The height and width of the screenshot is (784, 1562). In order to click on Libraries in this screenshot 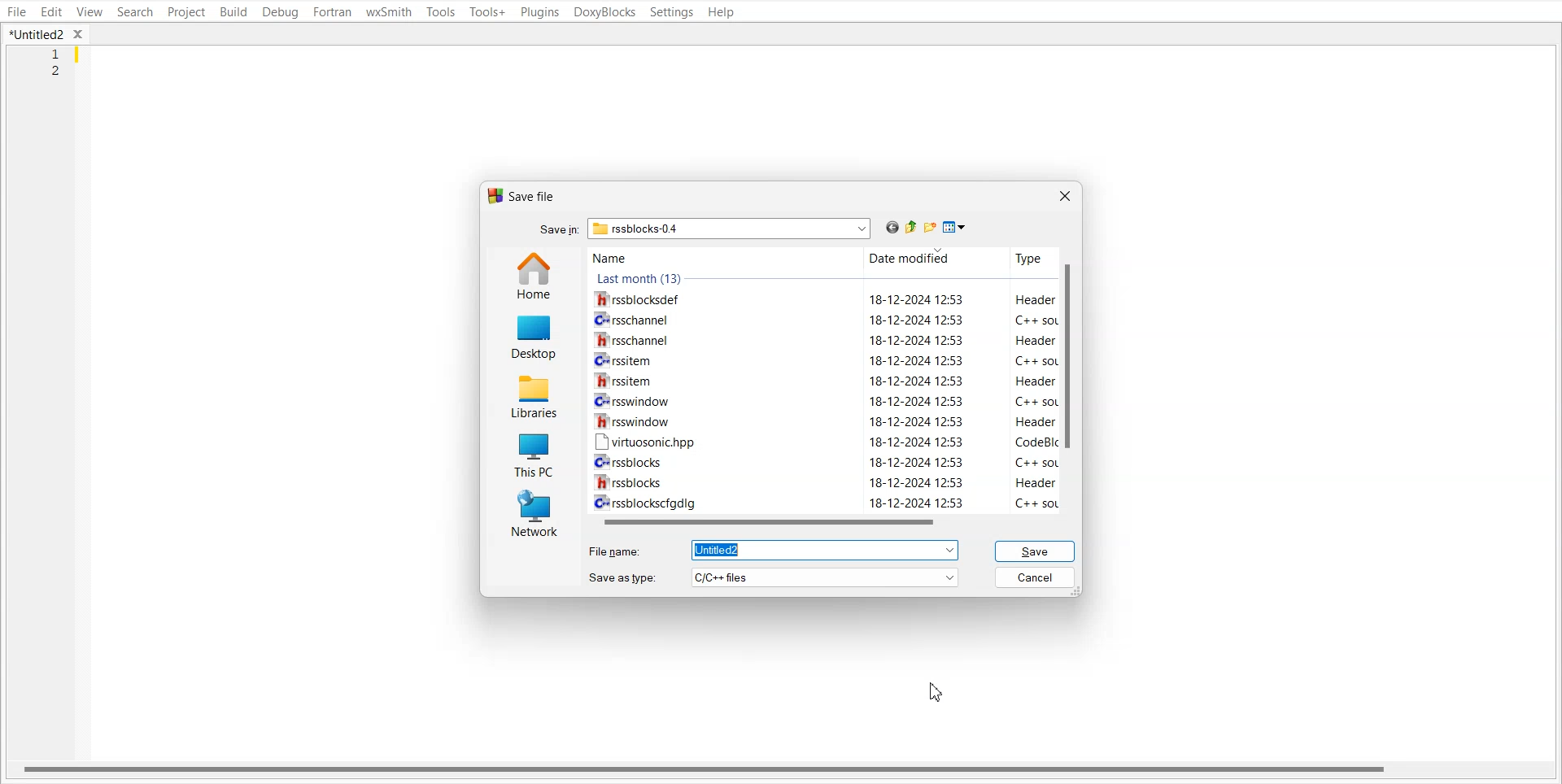, I will do `click(535, 396)`.